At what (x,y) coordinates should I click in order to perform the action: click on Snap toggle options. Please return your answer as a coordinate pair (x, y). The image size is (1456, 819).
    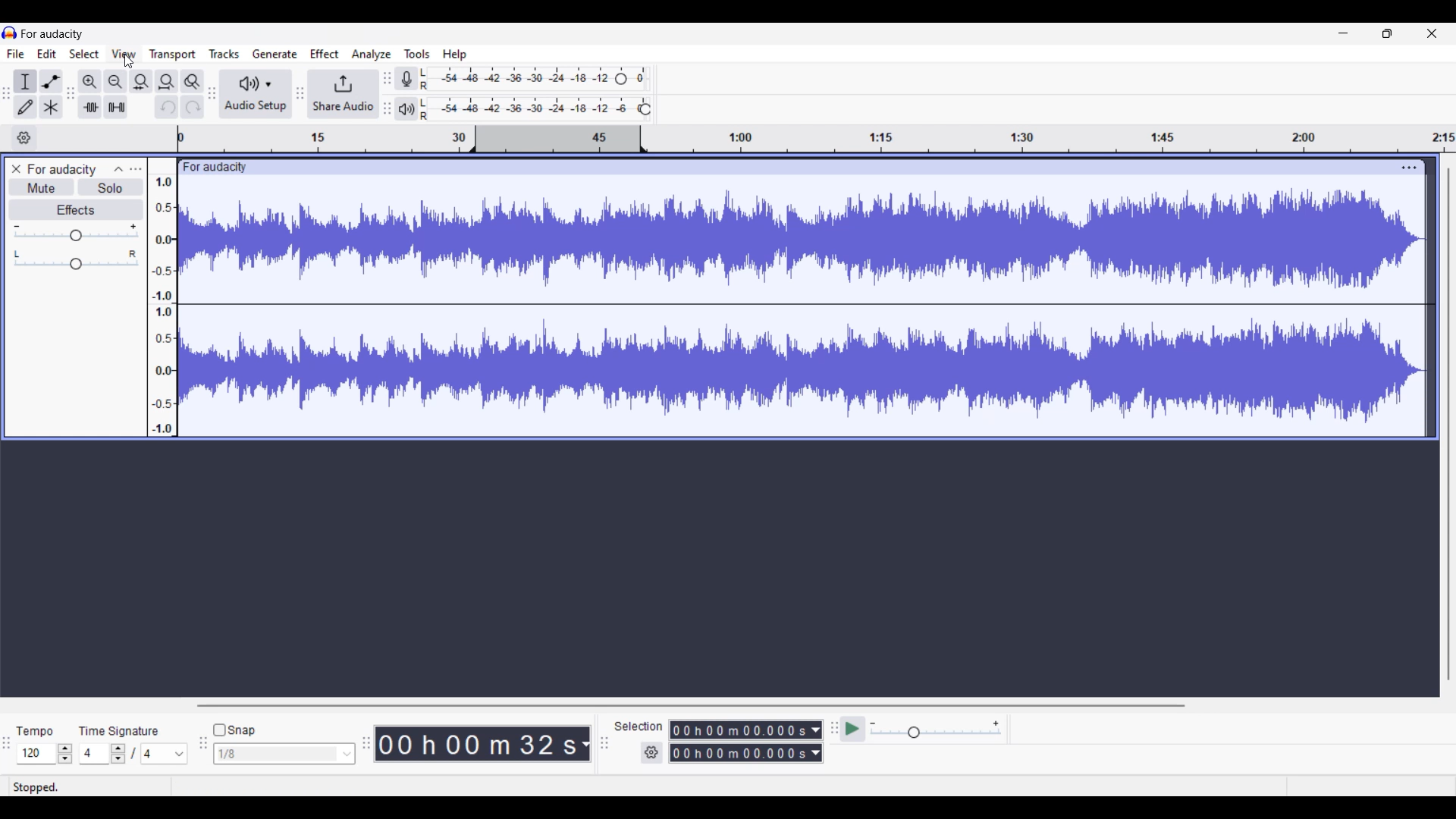
    Looking at the image, I should click on (284, 752).